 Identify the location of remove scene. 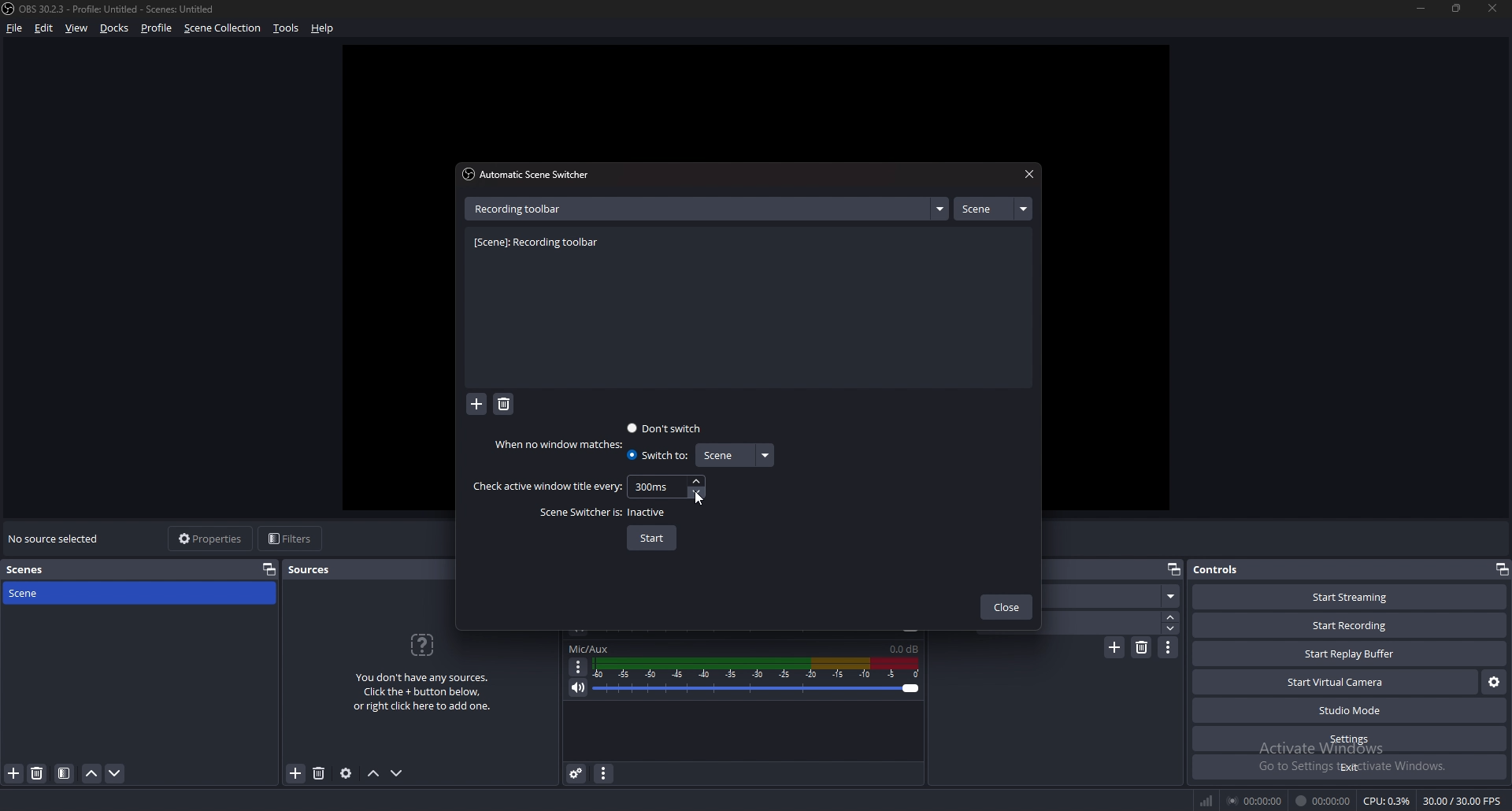
(37, 773).